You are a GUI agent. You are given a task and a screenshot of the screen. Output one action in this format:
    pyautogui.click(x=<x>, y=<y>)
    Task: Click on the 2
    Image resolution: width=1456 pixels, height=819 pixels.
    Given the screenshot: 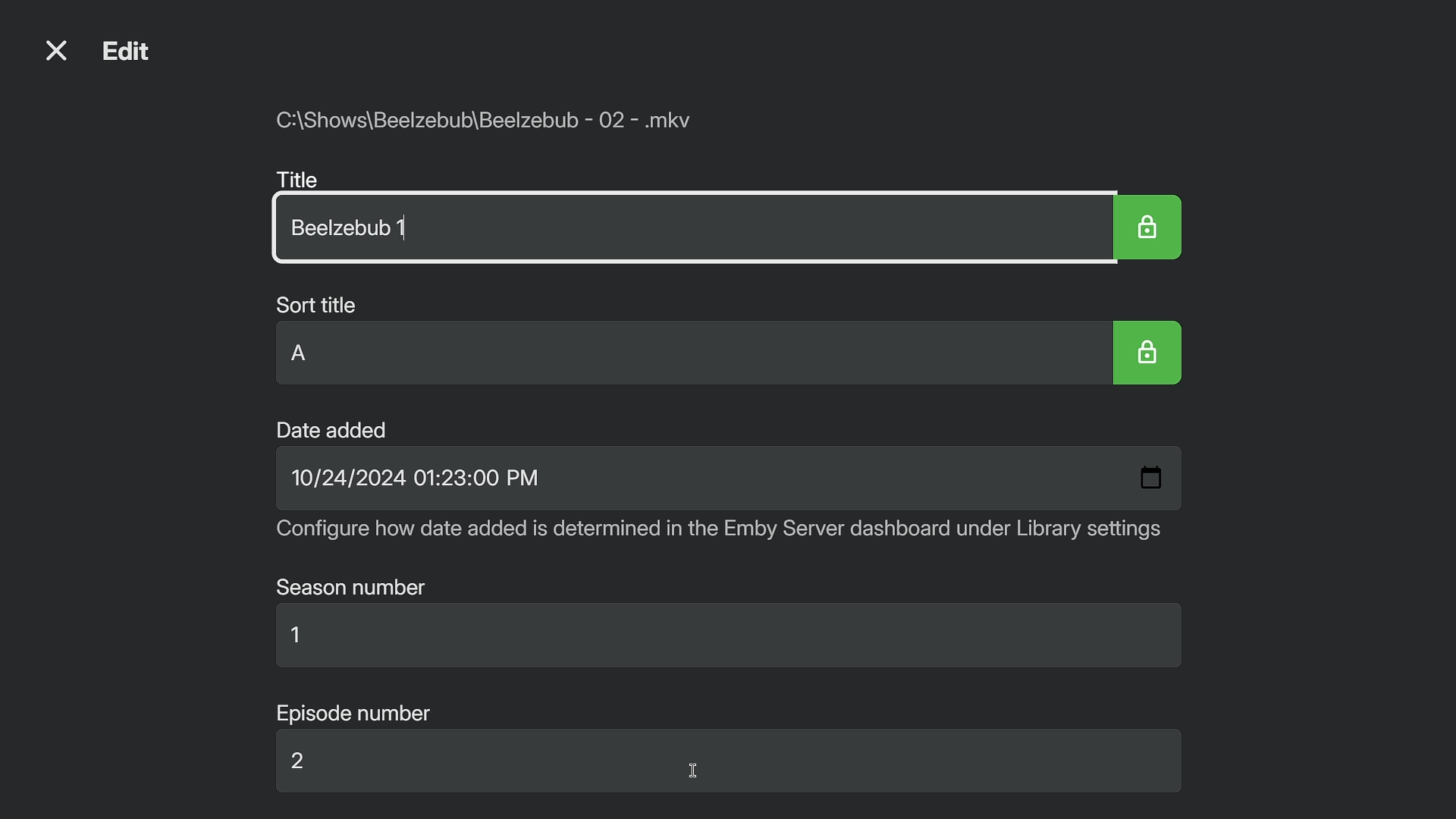 What is the action you would take?
    pyautogui.click(x=310, y=765)
    